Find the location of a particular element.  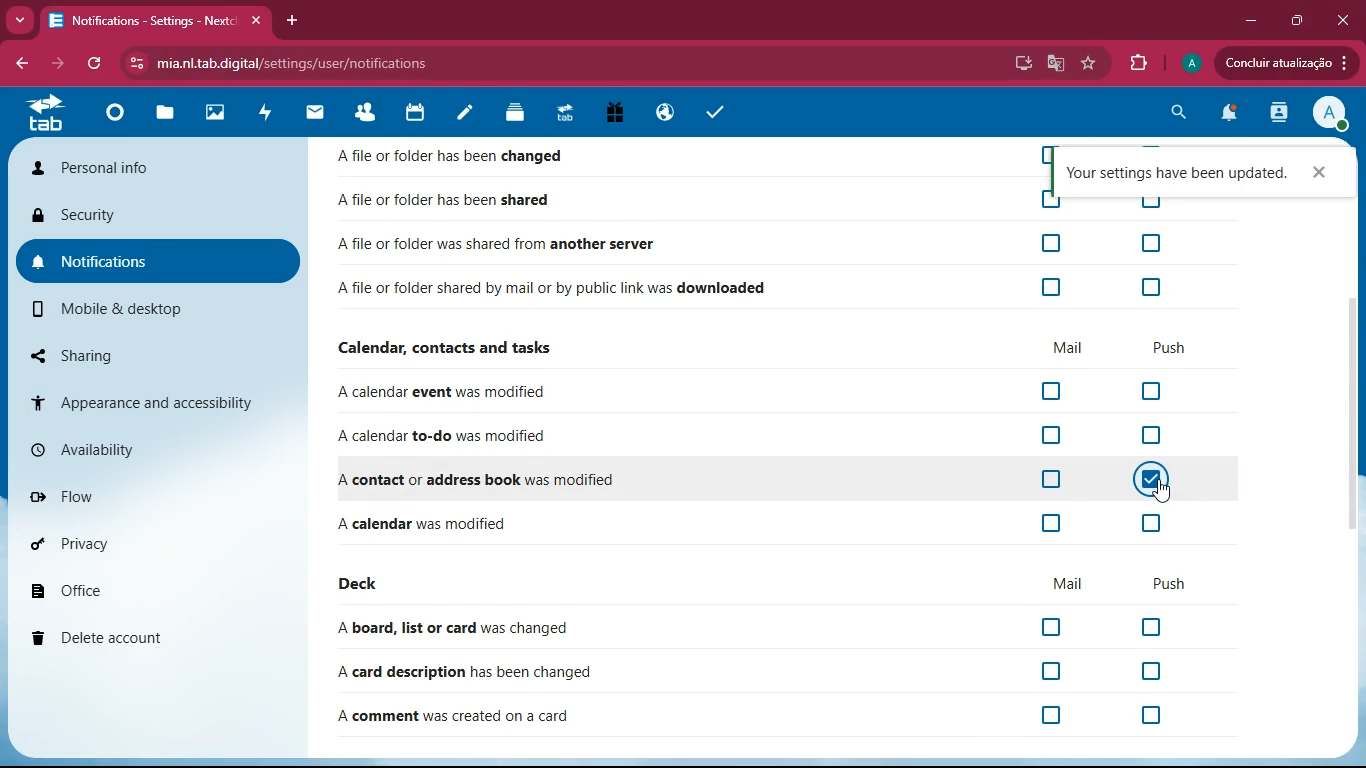

A card description has been changed is located at coordinates (467, 671).